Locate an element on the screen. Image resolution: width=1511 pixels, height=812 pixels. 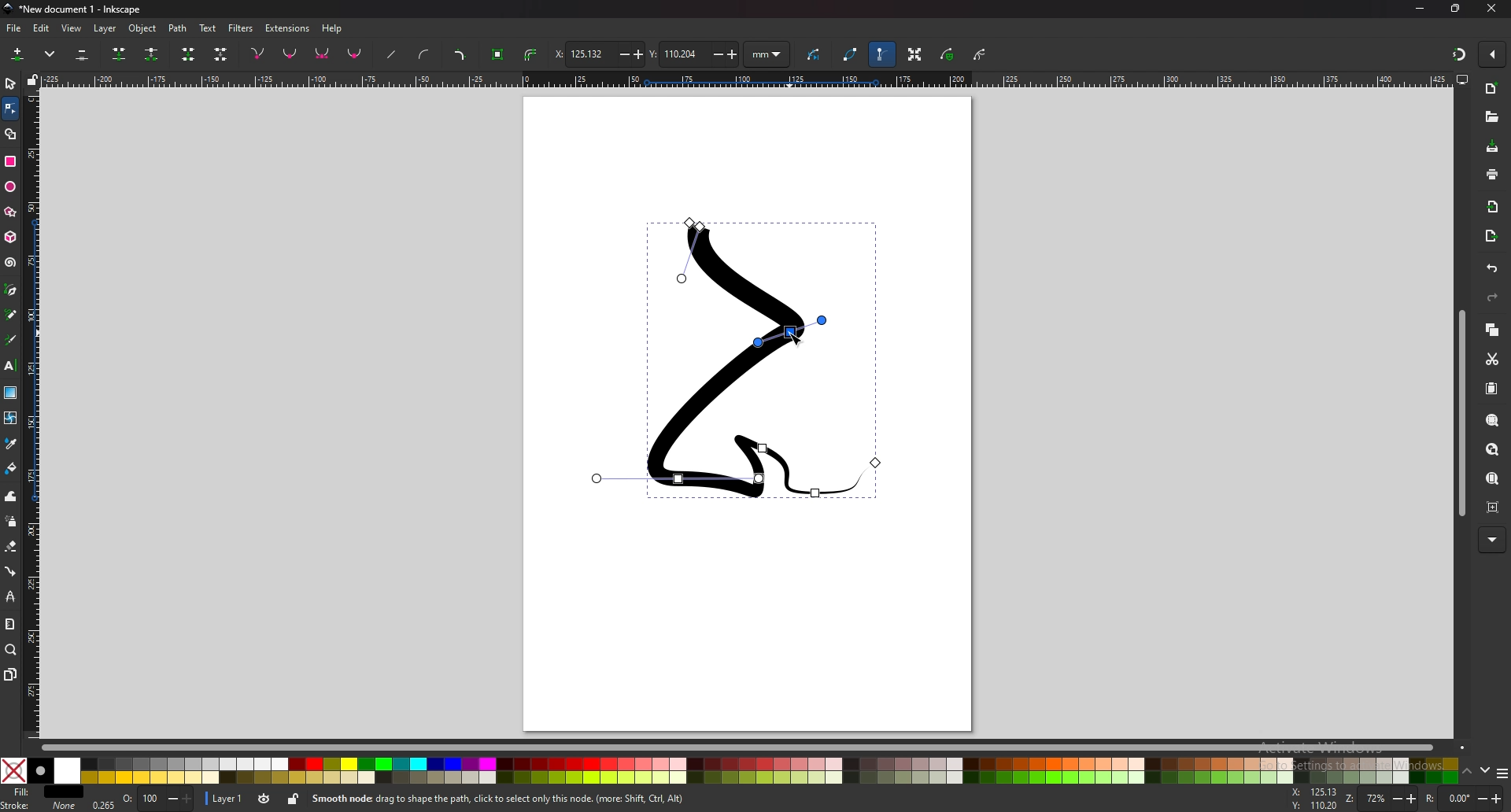
zoom drawing is located at coordinates (1491, 450).